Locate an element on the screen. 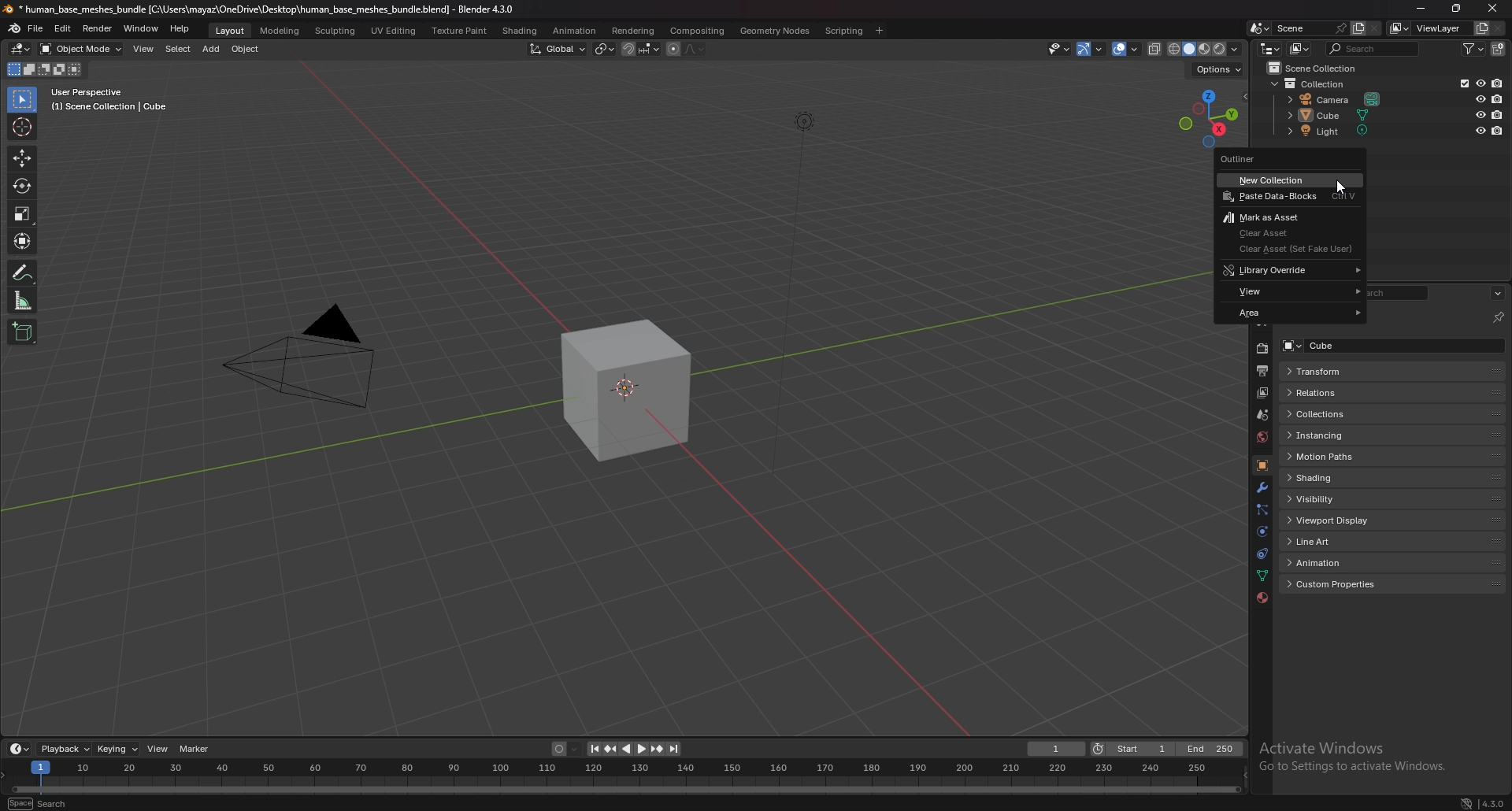  clear asset (set fake user) is located at coordinates (1292, 247).